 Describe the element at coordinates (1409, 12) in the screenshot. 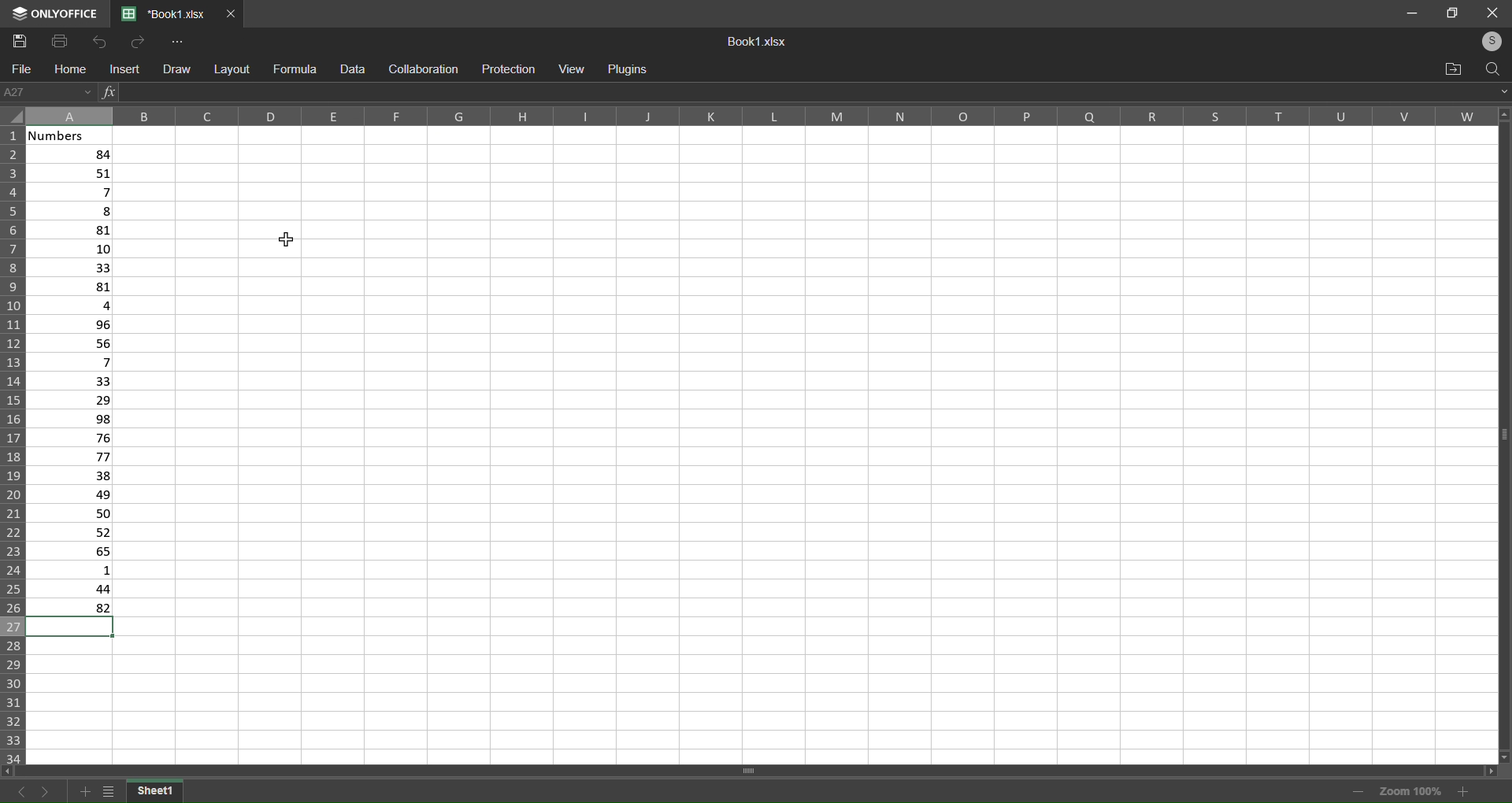

I see `minimize` at that location.